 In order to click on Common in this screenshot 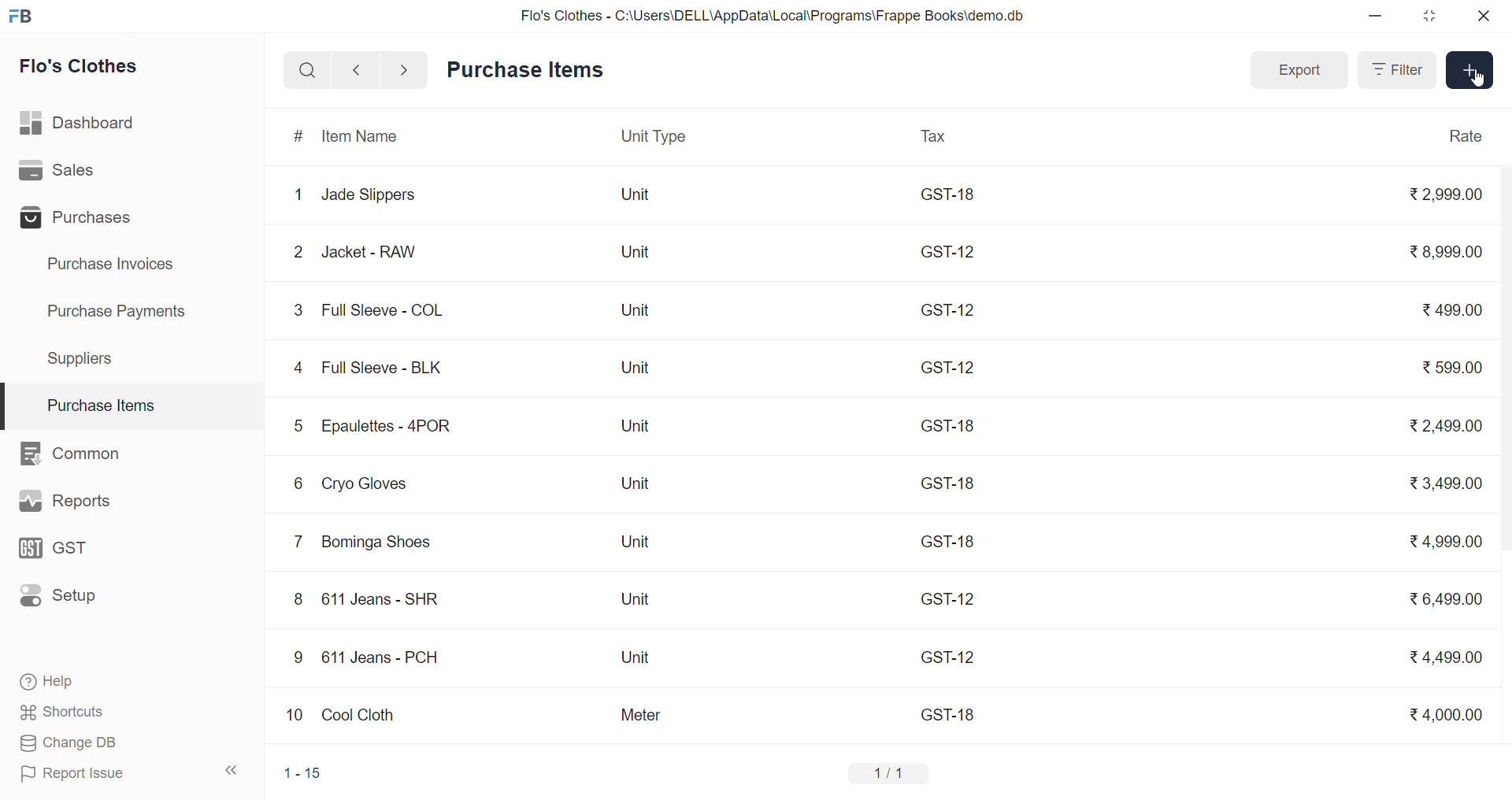, I will do `click(79, 452)`.